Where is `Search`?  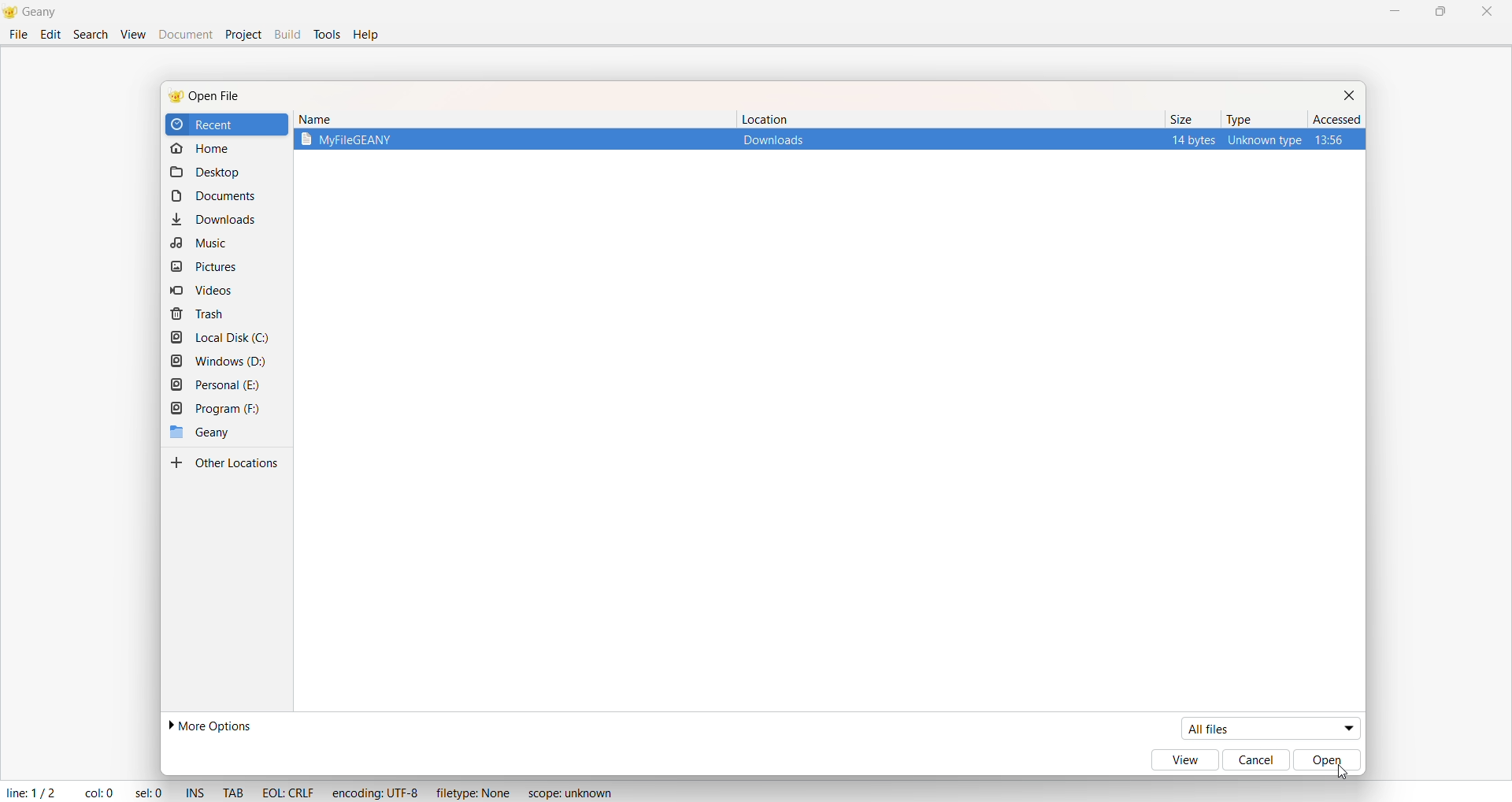
Search is located at coordinates (91, 36).